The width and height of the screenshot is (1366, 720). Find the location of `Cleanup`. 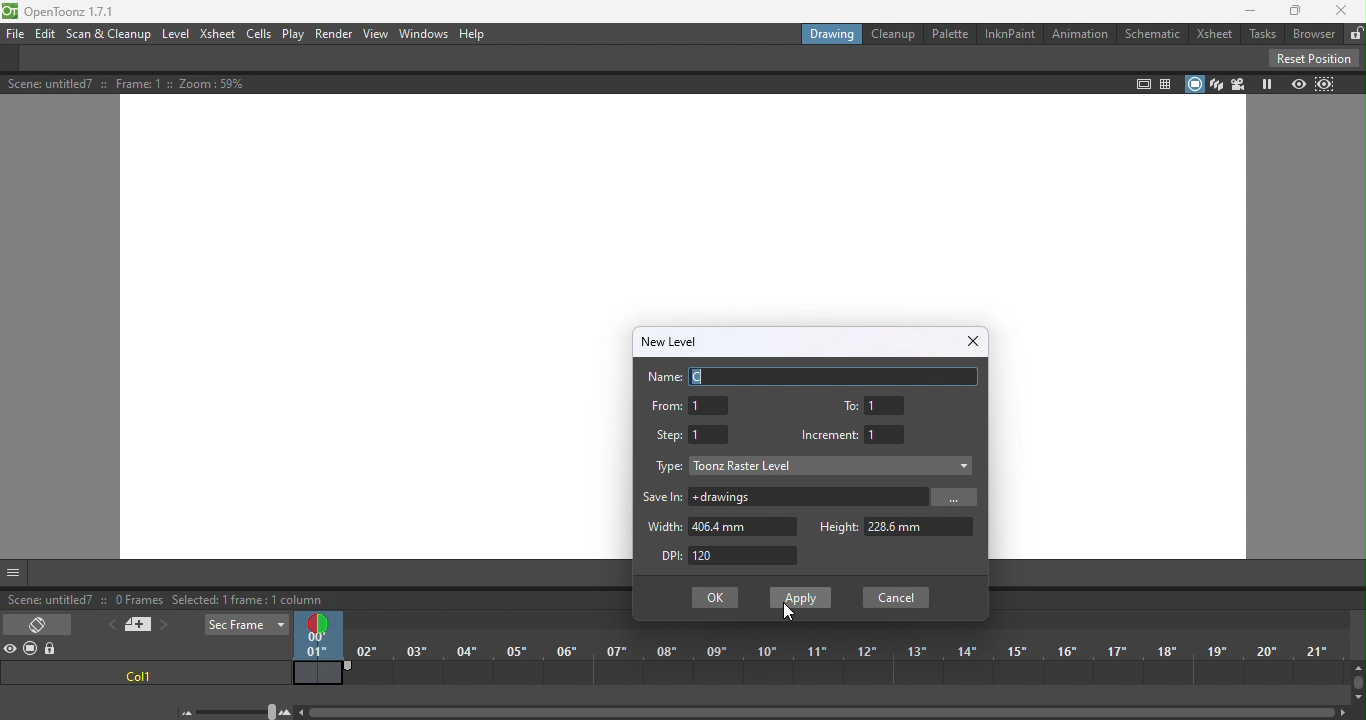

Cleanup is located at coordinates (892, 34).